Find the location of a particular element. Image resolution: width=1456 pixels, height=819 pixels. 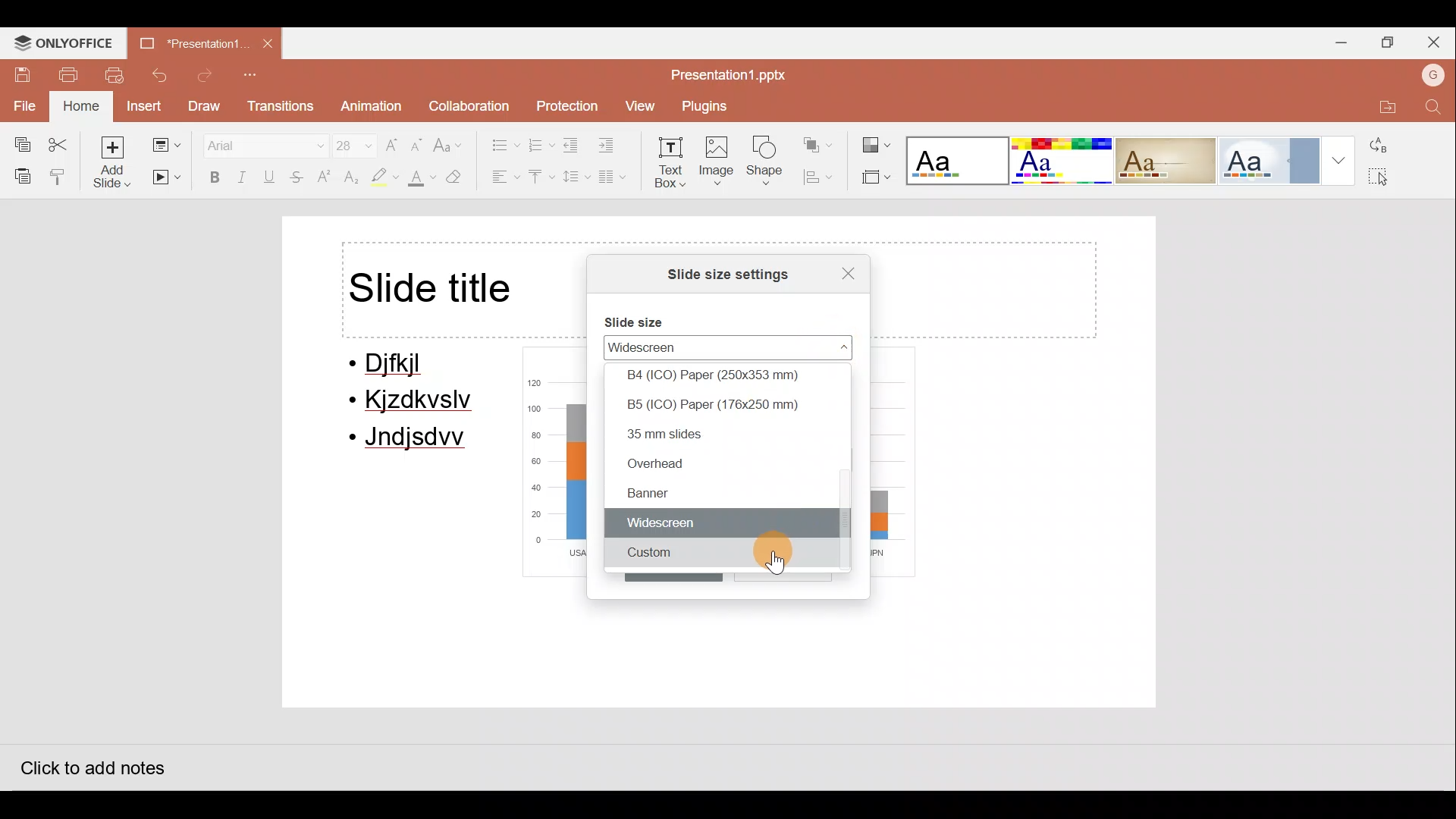

Collaboration is located at coordinates (468, 102).